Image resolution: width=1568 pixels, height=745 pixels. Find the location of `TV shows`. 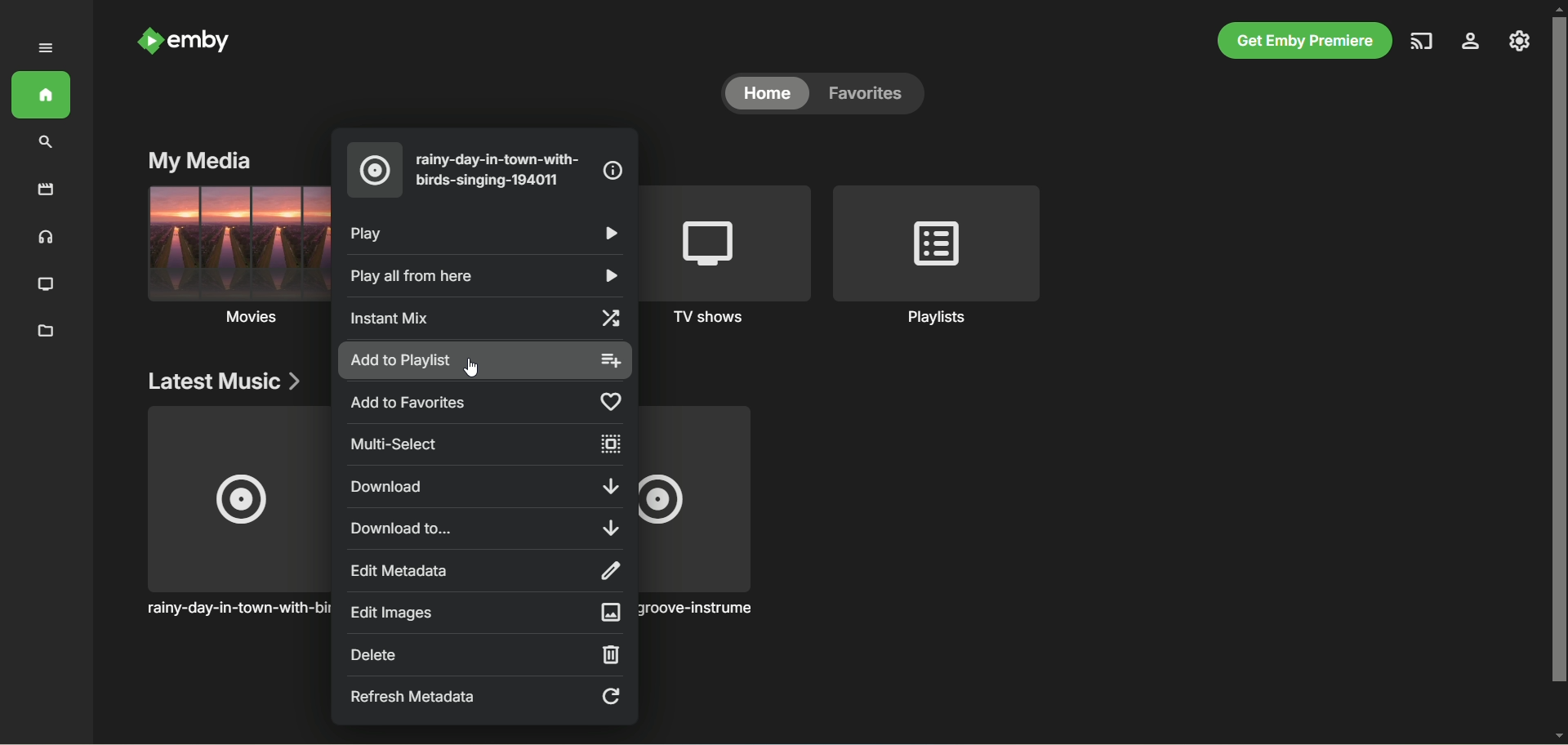

TV shows is located at coordinates (45, 285).